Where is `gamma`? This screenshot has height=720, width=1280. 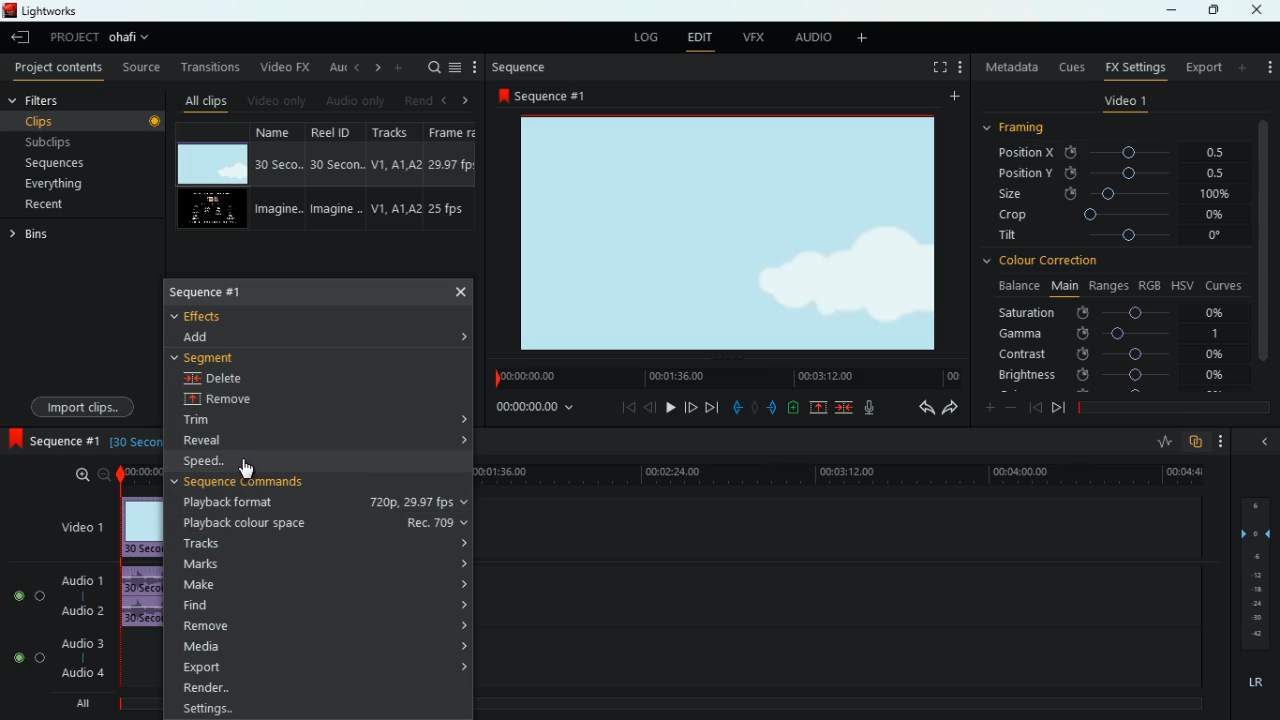 gamma is located at coordinates (1118, 332).